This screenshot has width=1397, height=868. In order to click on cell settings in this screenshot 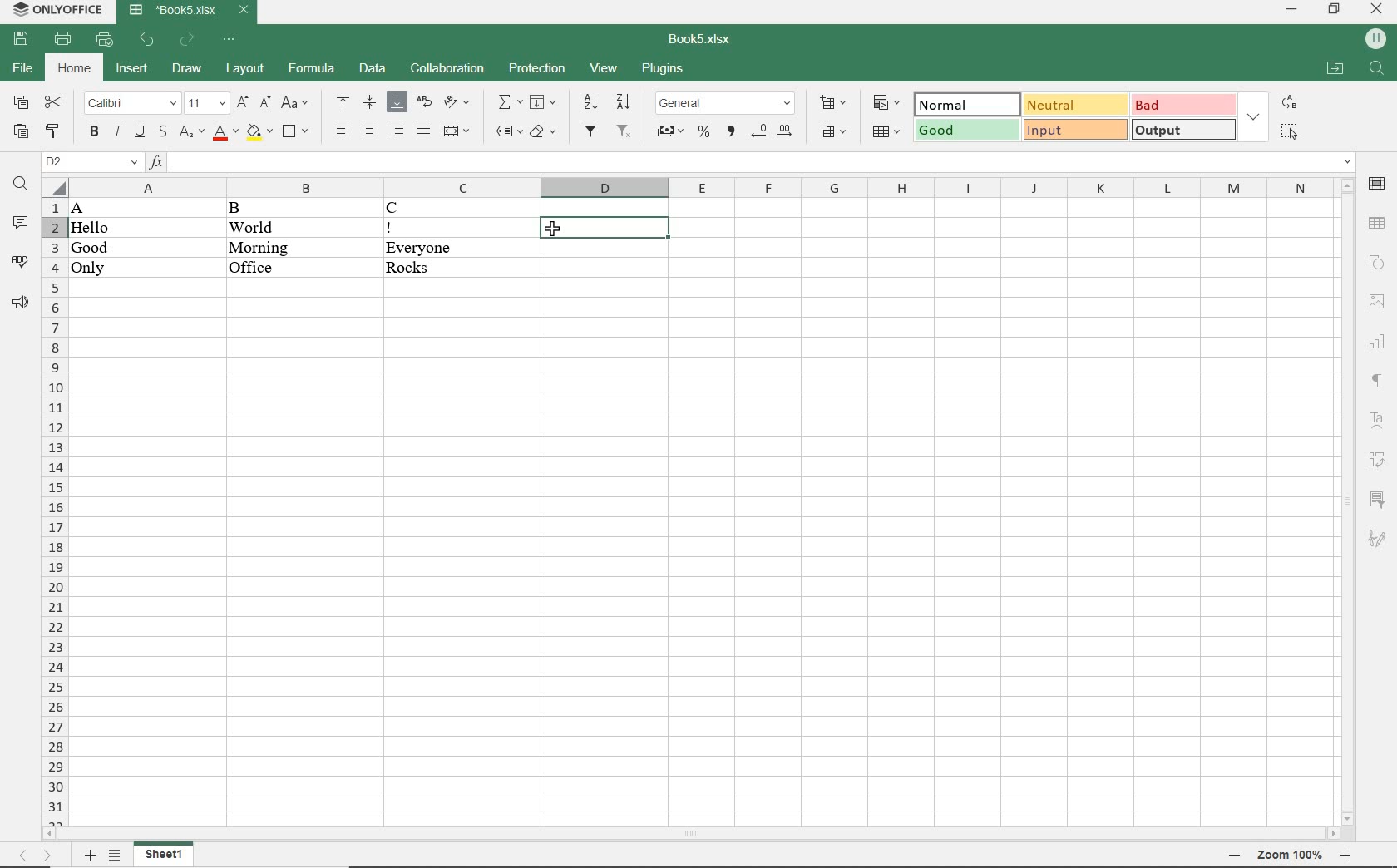, I will do `click(1377, 184)`.